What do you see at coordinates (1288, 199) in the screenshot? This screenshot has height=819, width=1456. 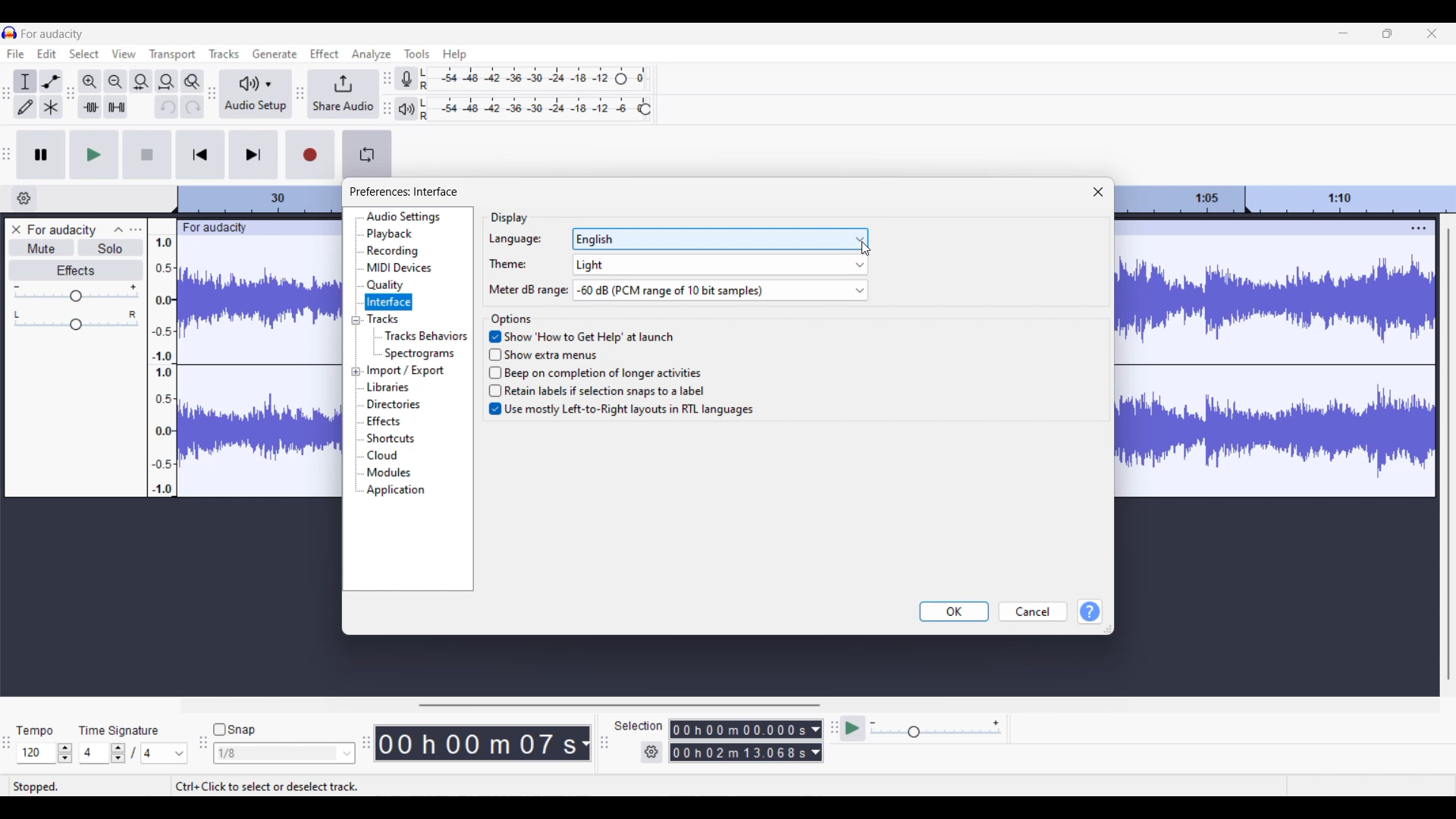 I see `Scale to measure track length` at bounding box center [1288, 199].